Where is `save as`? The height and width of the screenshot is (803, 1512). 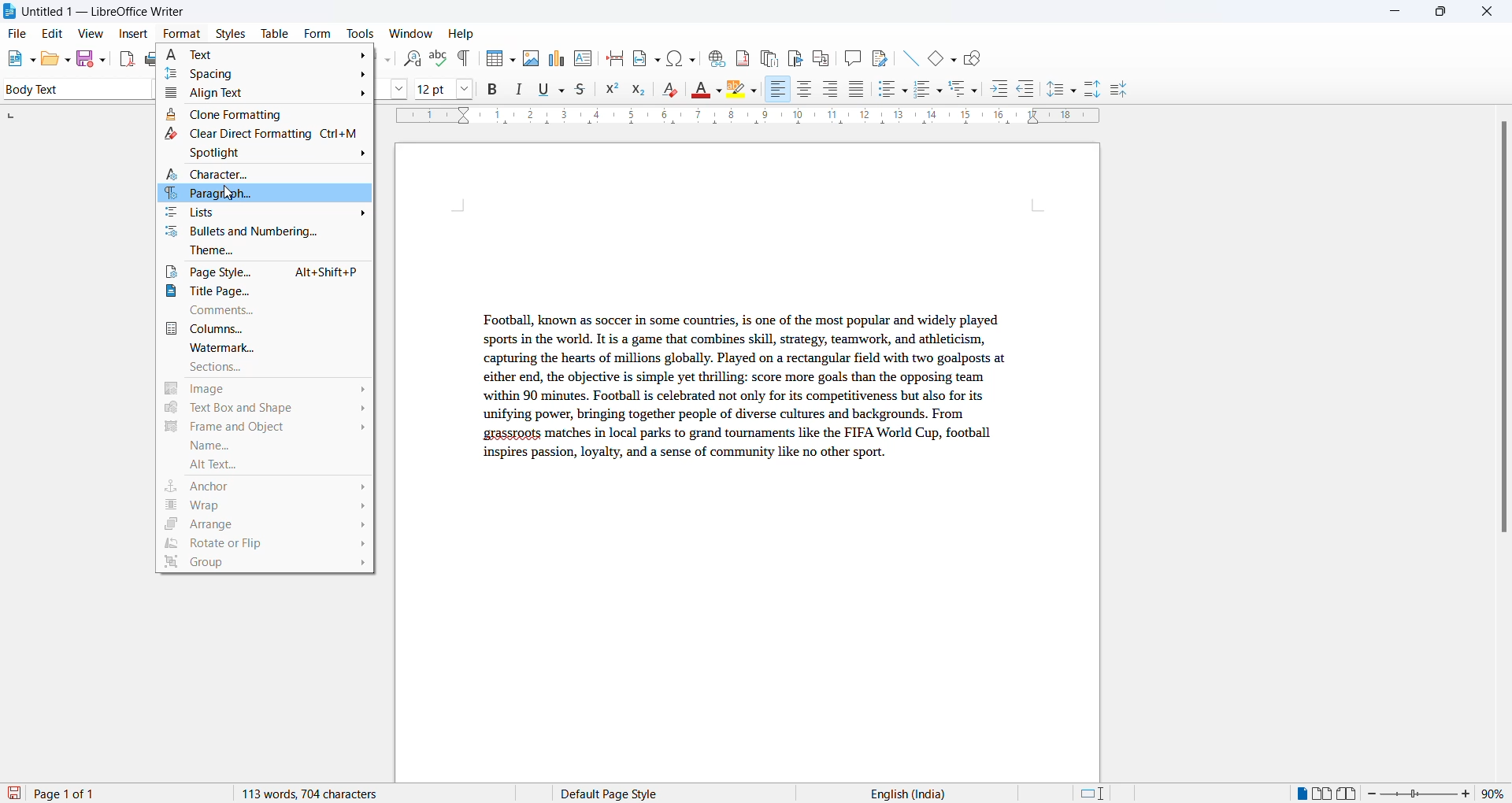
save as is located at coordinates (94, 55).